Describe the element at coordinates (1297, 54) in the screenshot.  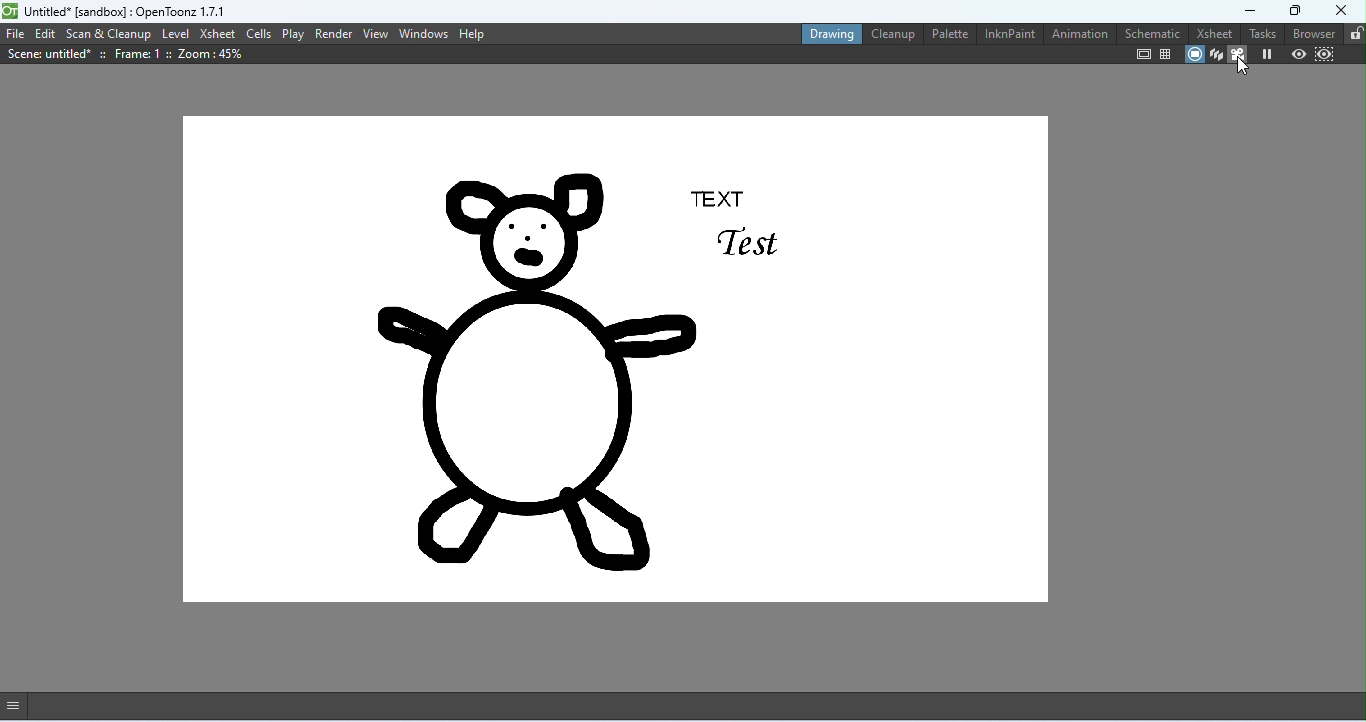
I see `preview` at that location.